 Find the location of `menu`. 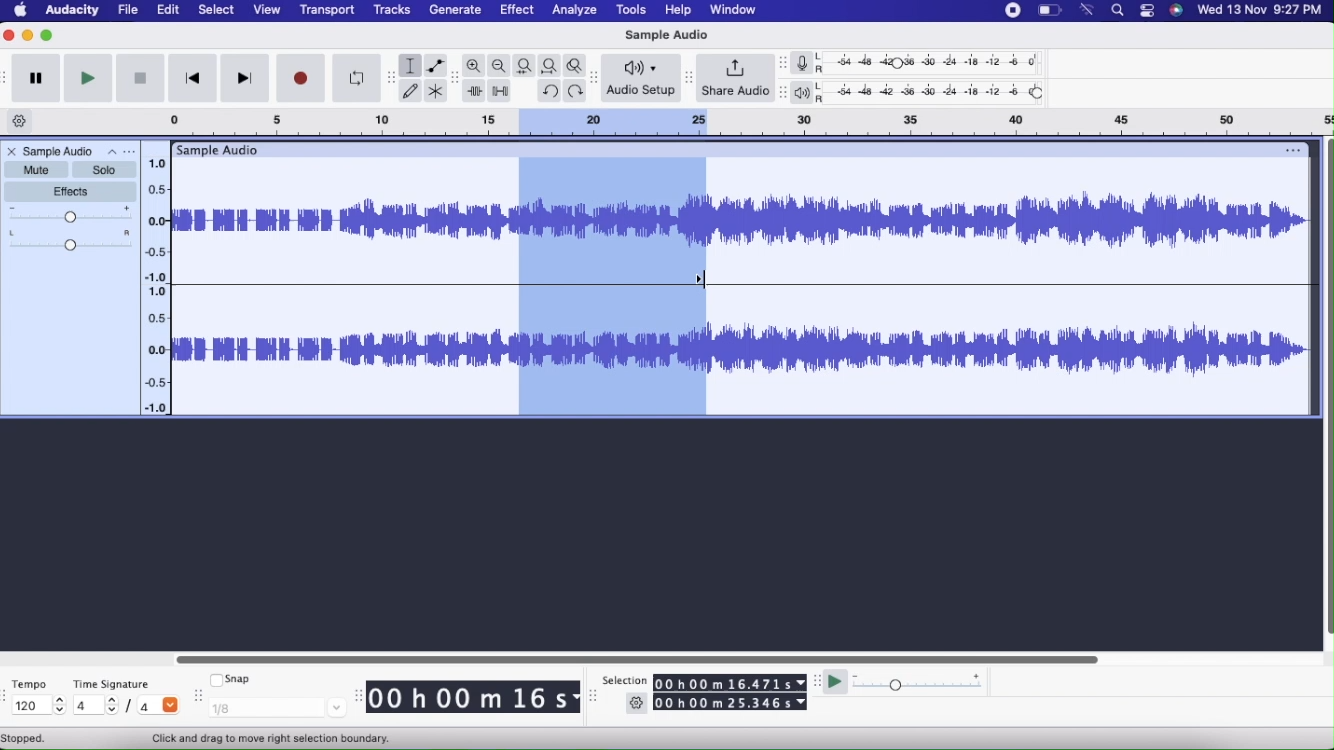

menu is located at coordinates (1009, 10).